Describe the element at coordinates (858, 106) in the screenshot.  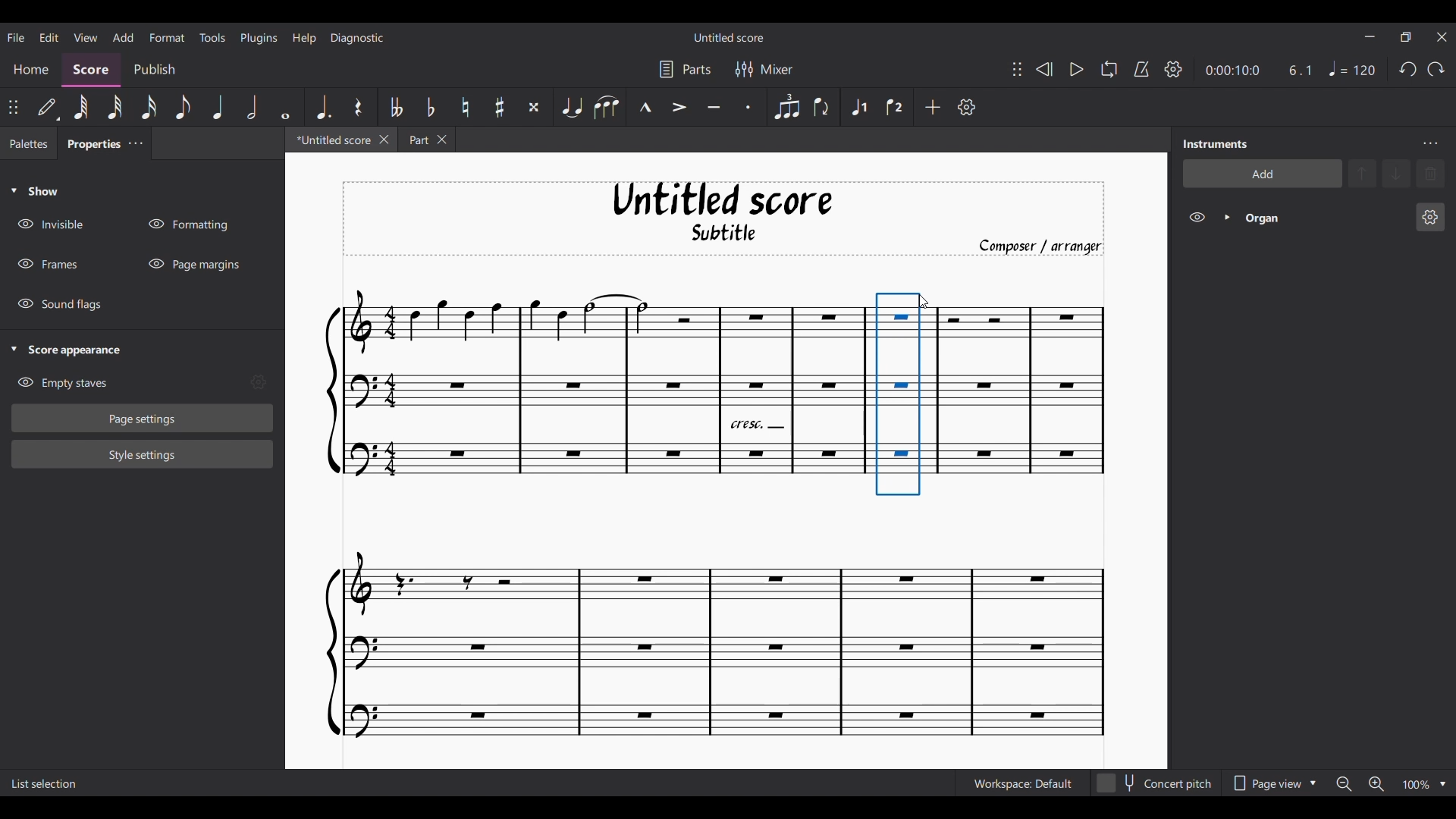
I see `Voice 1` at that location.